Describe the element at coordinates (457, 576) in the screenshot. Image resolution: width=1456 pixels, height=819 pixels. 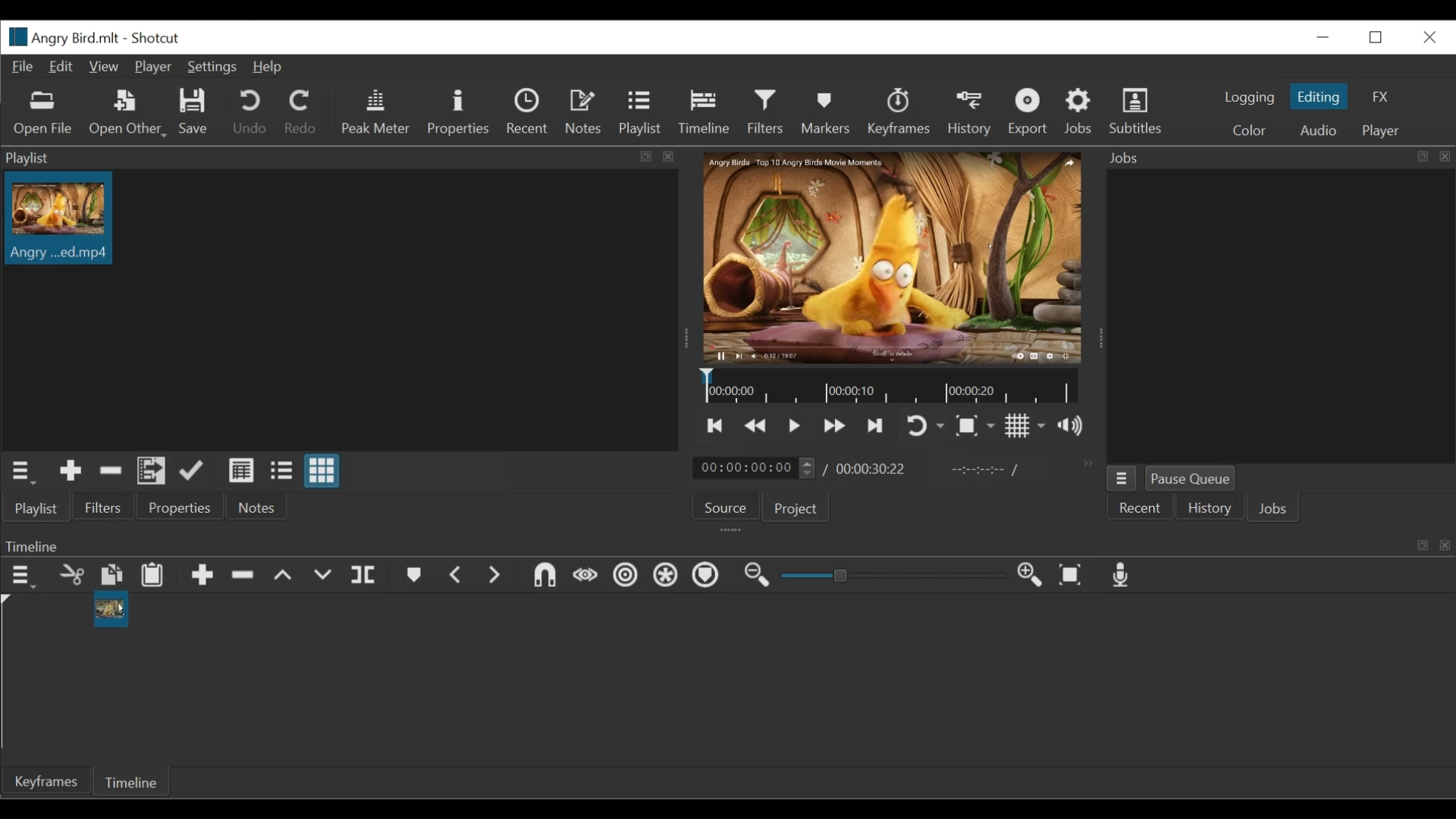
I see `Previous marker` at that location.